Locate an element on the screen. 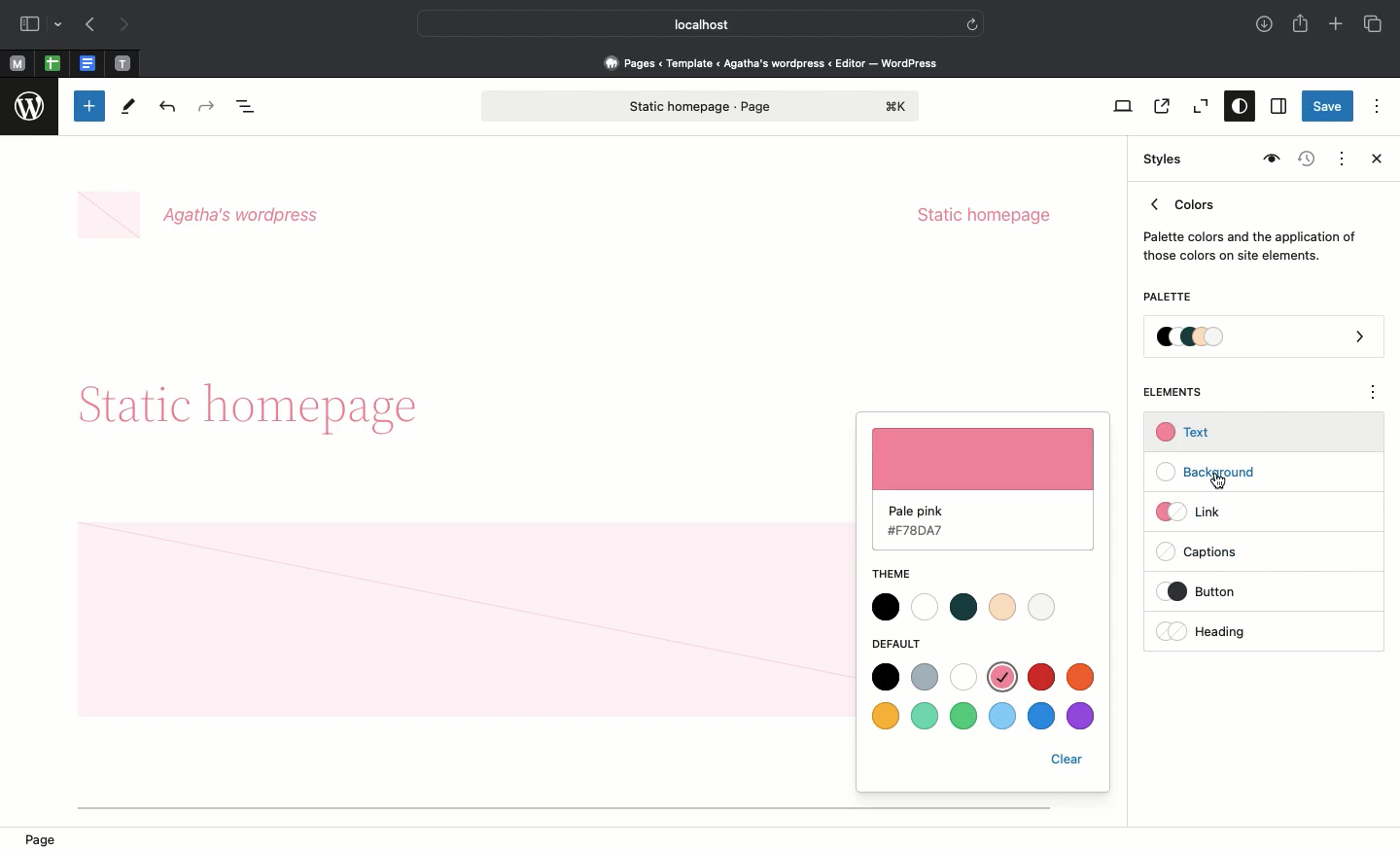 This screenshot has width=1400, height=850. Text is located at coordinates (1186, 433).